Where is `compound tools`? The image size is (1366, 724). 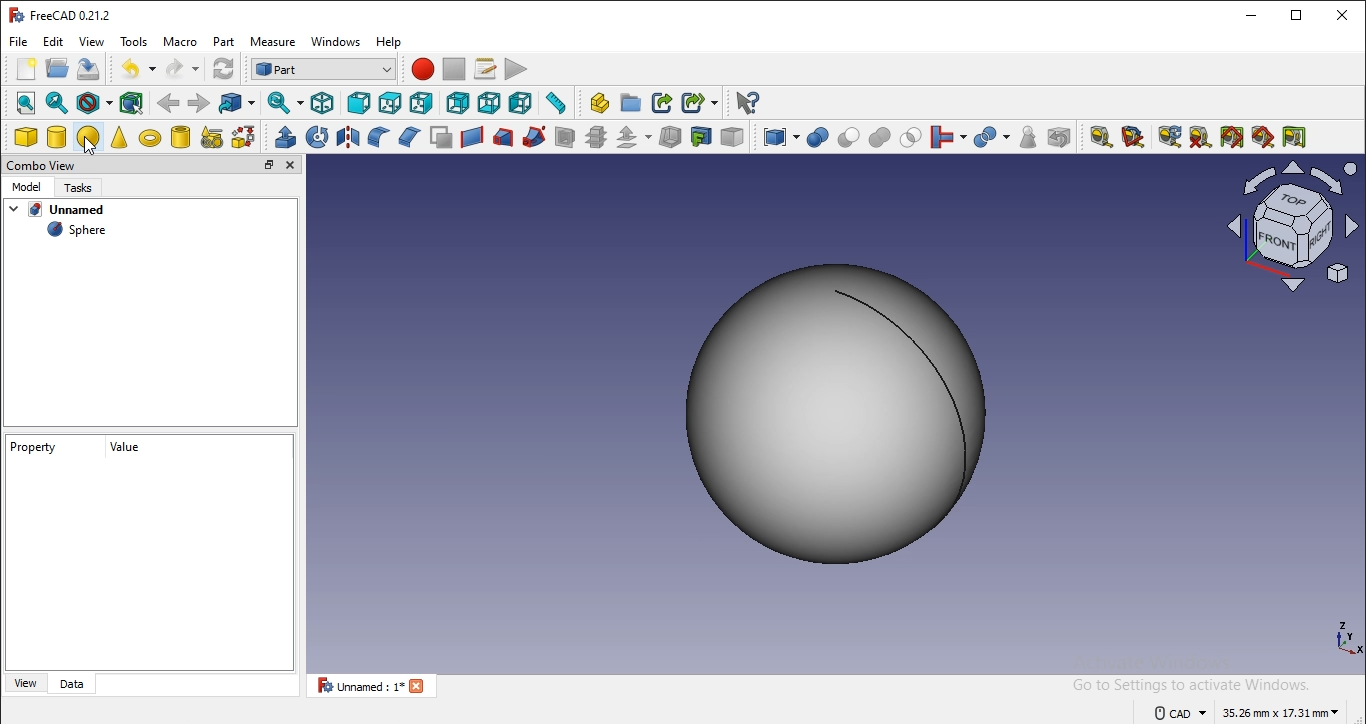
compound tools is located at coordinates (775, 138).